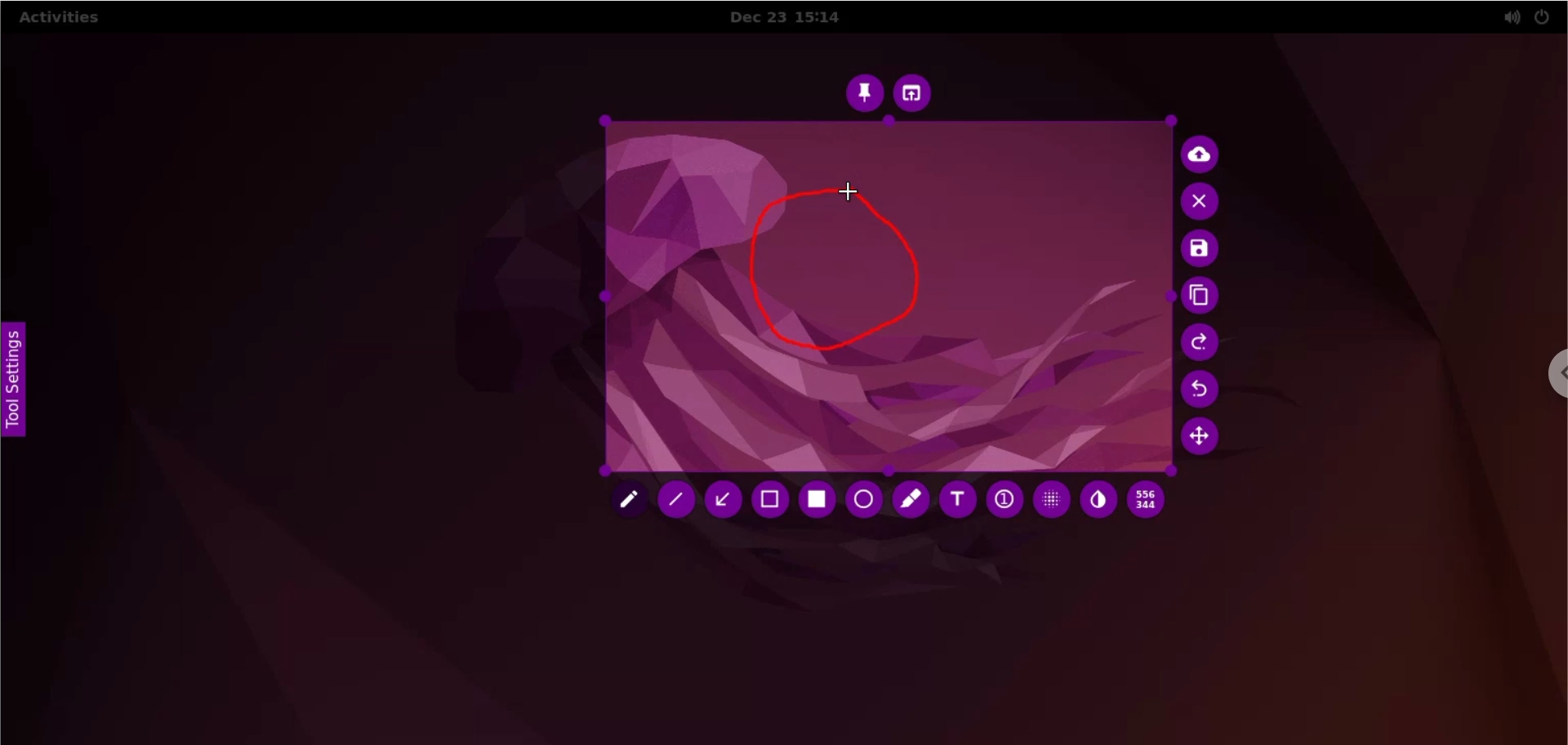  What do you see at coordinates (16, 383) in the screenshot?
I see `tool settings` at bounding box center [16, 383].